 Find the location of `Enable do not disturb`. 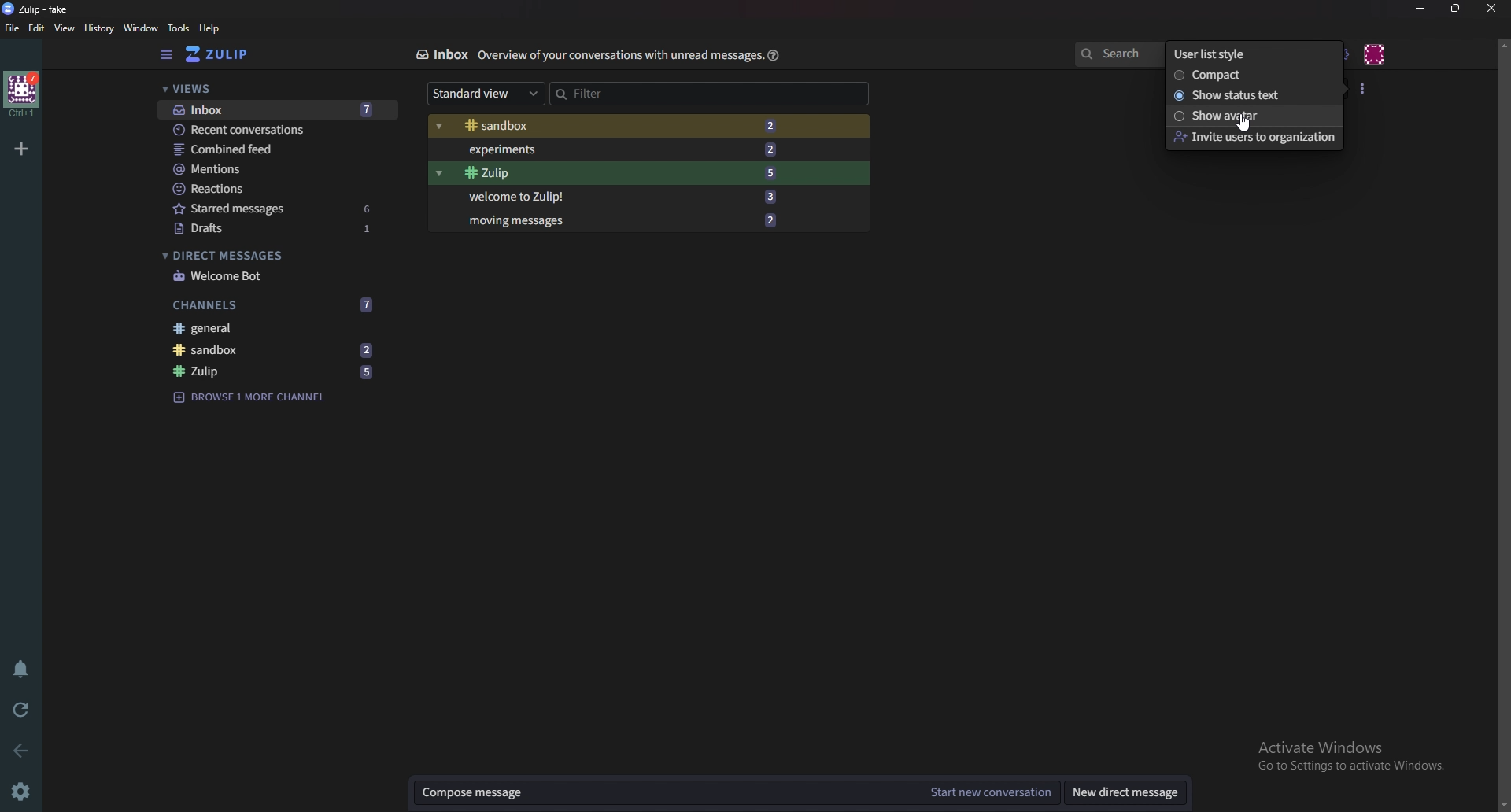

Enable do not disturb is located at coordinates (17, 668).